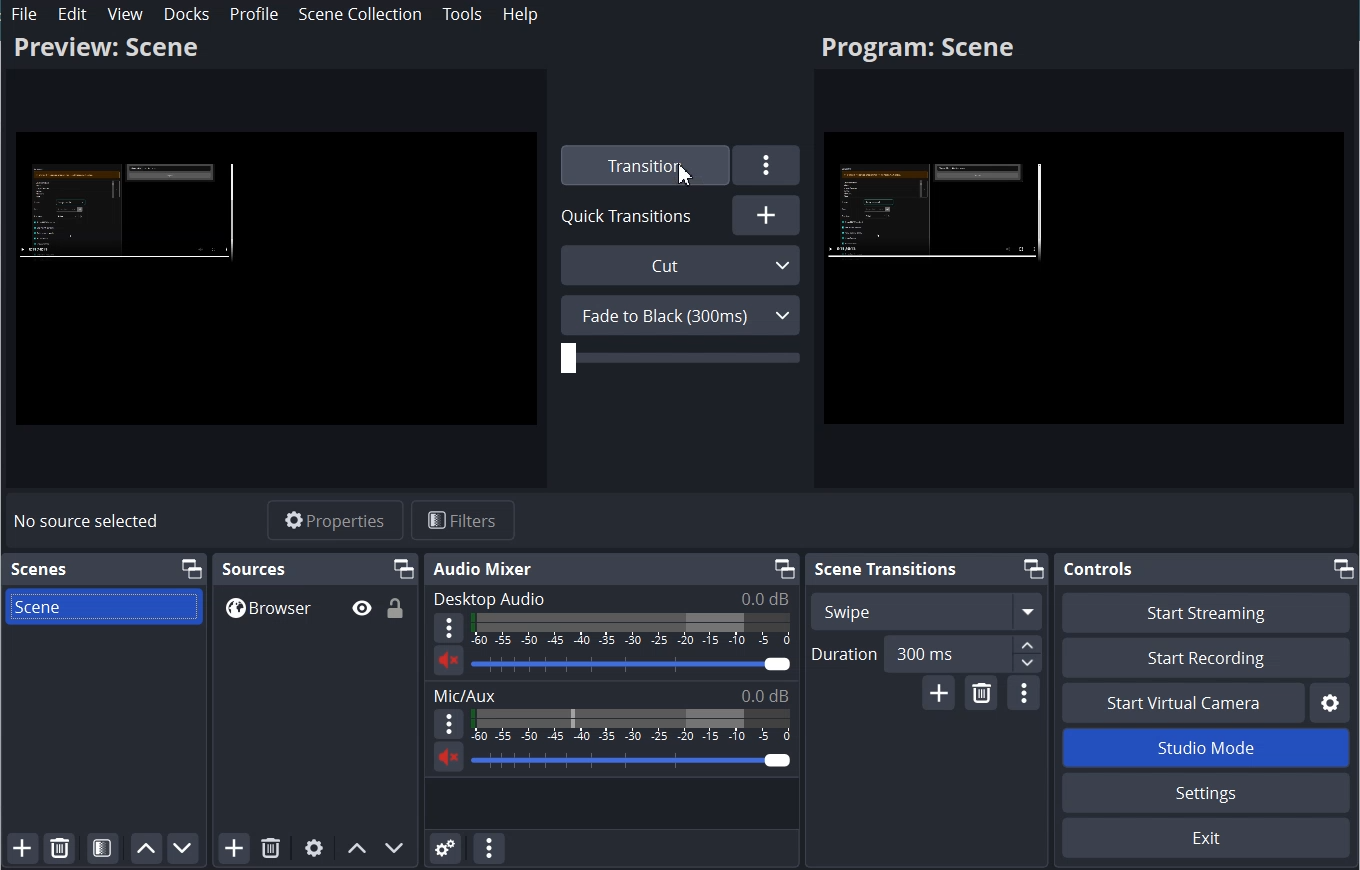 This screenshot has height=870, width=1360. I want to click on Remove Configurable Transition, so click(981, 693).